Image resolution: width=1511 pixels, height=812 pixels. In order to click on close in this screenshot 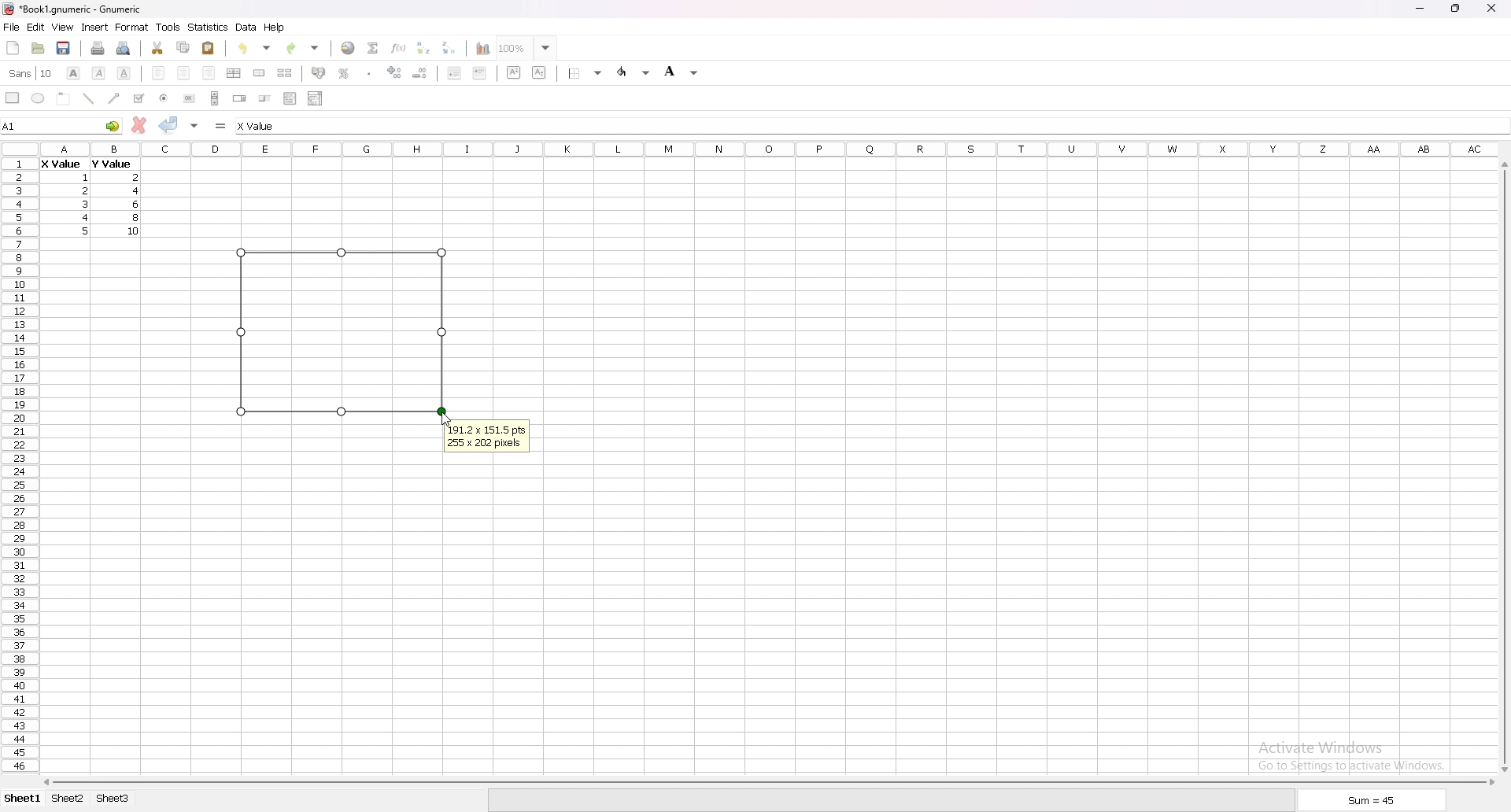, I will do `click(1491, 8)`.